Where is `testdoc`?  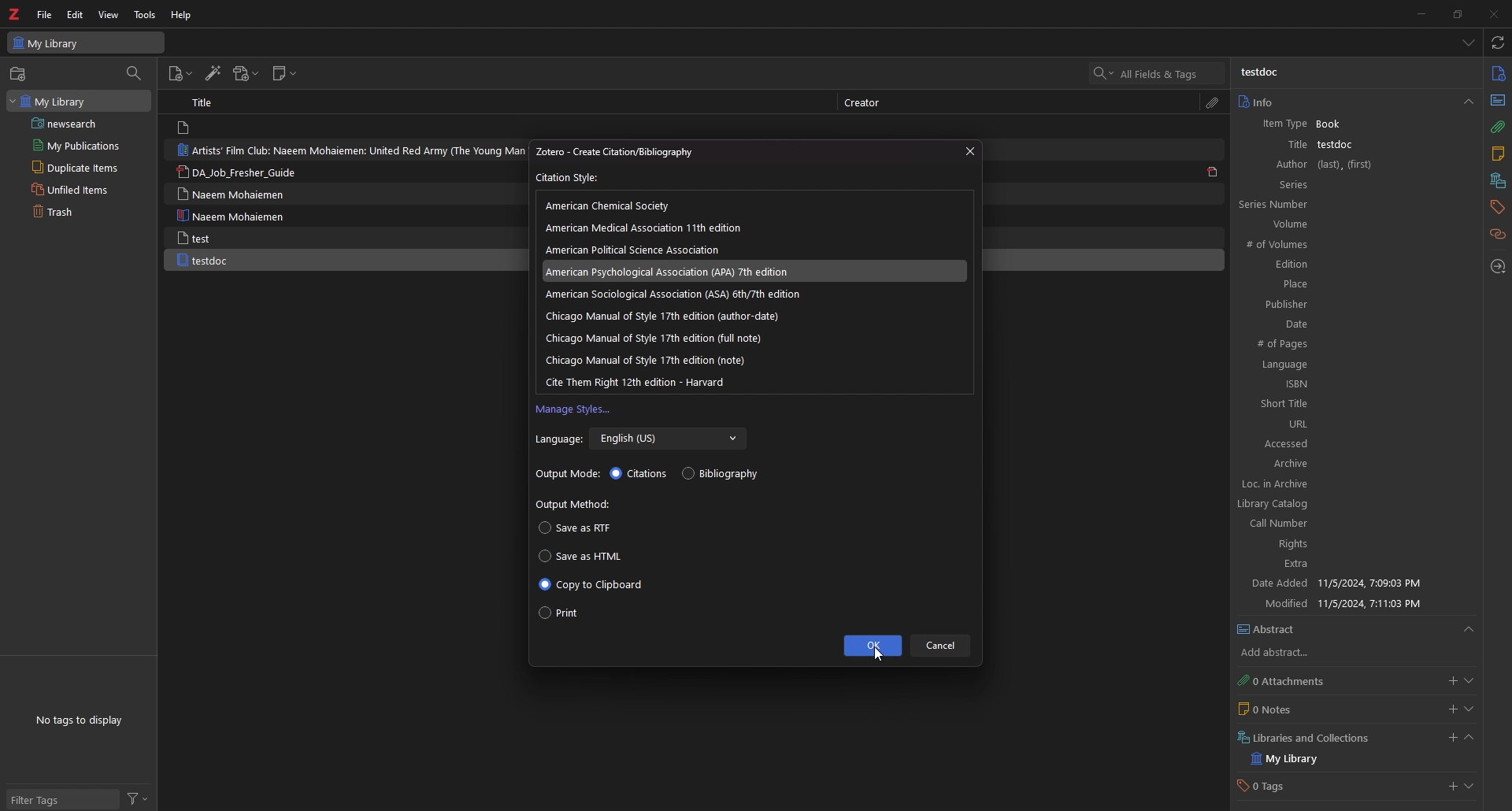 testdoc is located at coordinates (1338, 144).